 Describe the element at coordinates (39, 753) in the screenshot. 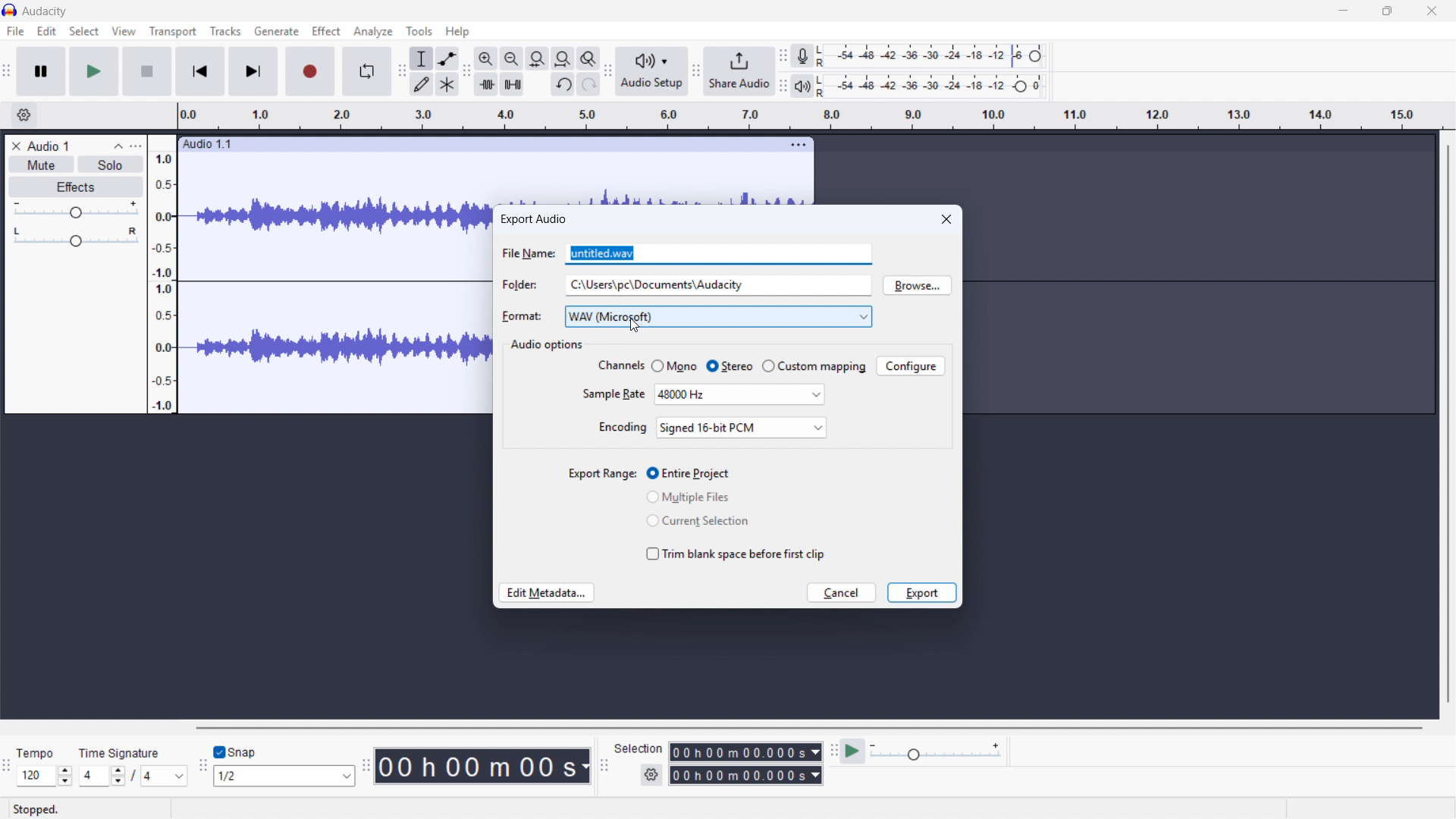

I see `tempo` at that location.